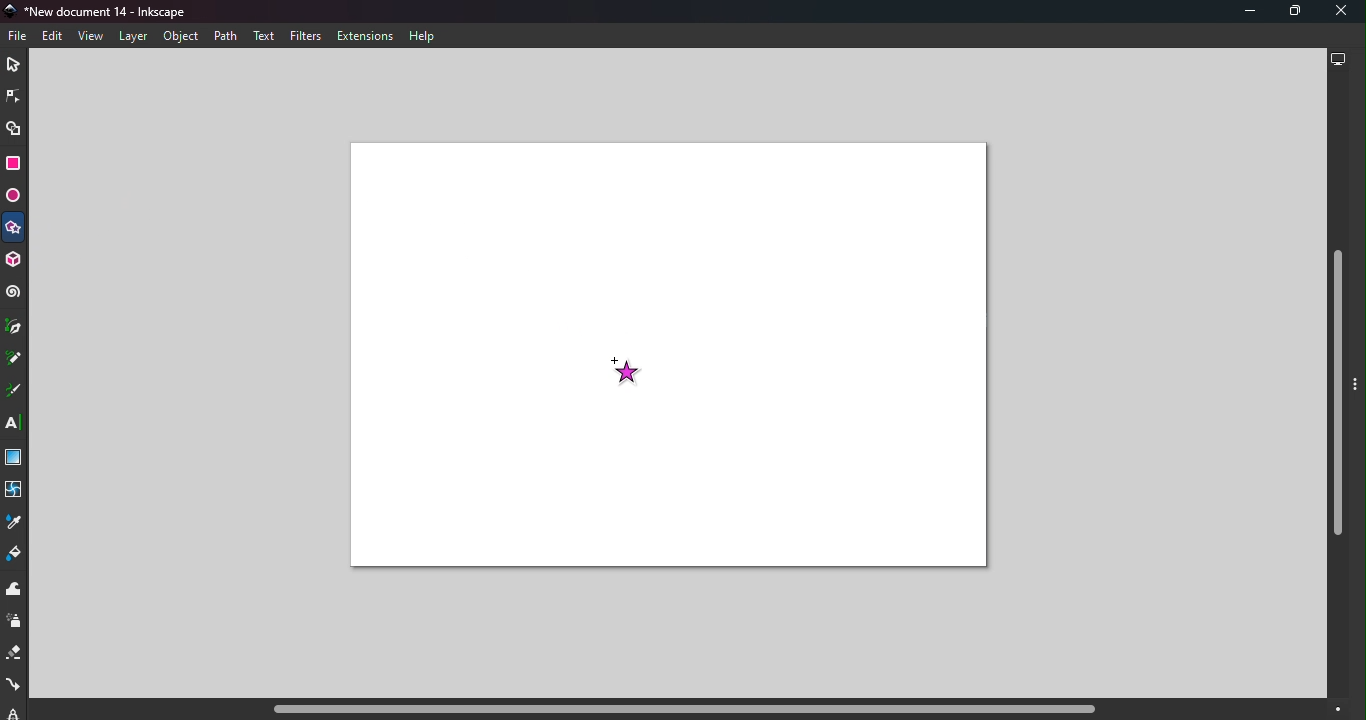 The image size is (1366, 720). I want to click on Text tool, so click(15, 424).